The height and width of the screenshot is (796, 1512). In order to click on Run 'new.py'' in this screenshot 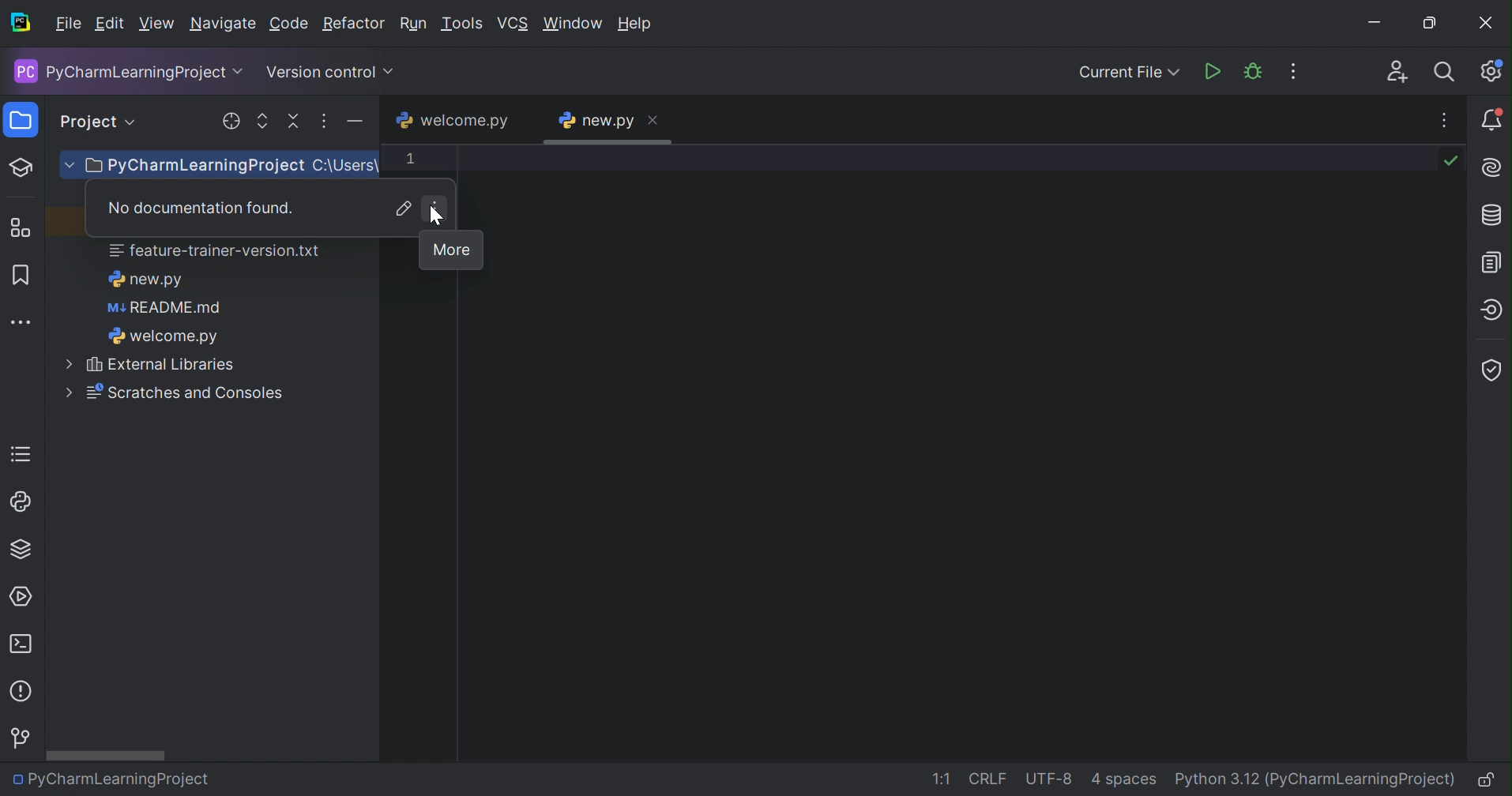, I will do `click(1213, 71)`.